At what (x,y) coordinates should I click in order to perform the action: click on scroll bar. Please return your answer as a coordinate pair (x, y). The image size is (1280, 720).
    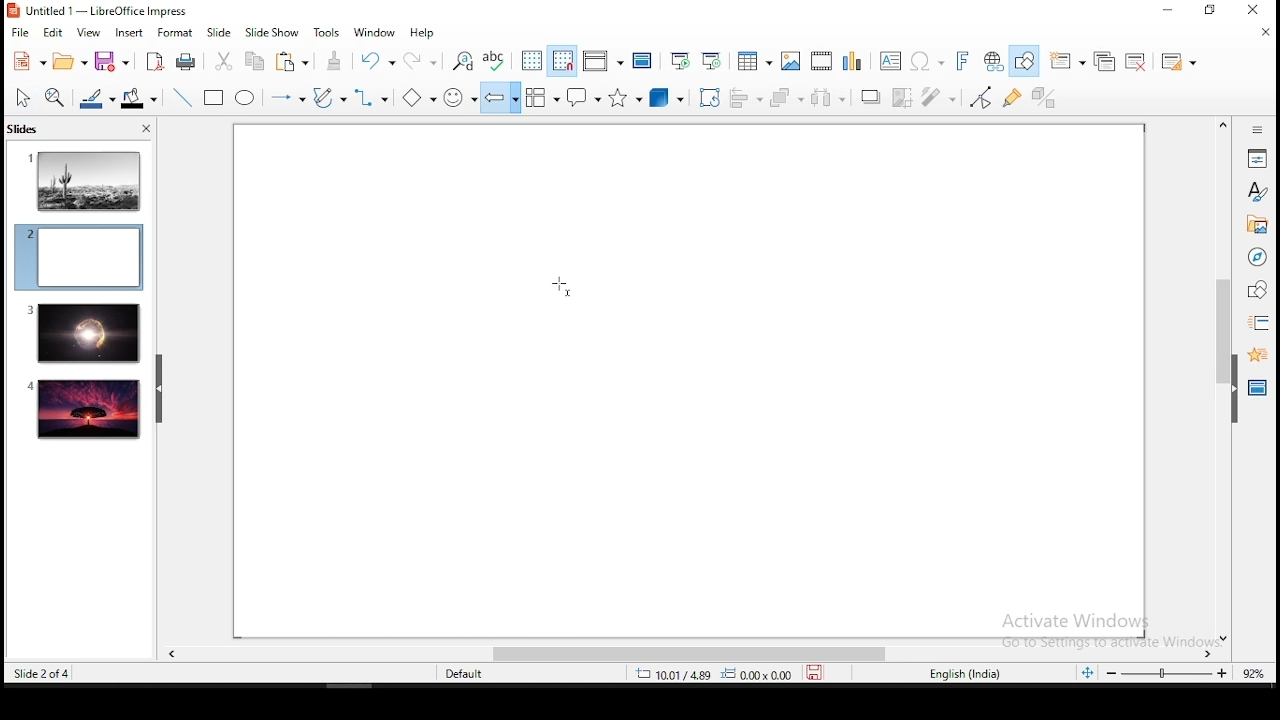
    Looking at the image, I should click on (1220, 380).